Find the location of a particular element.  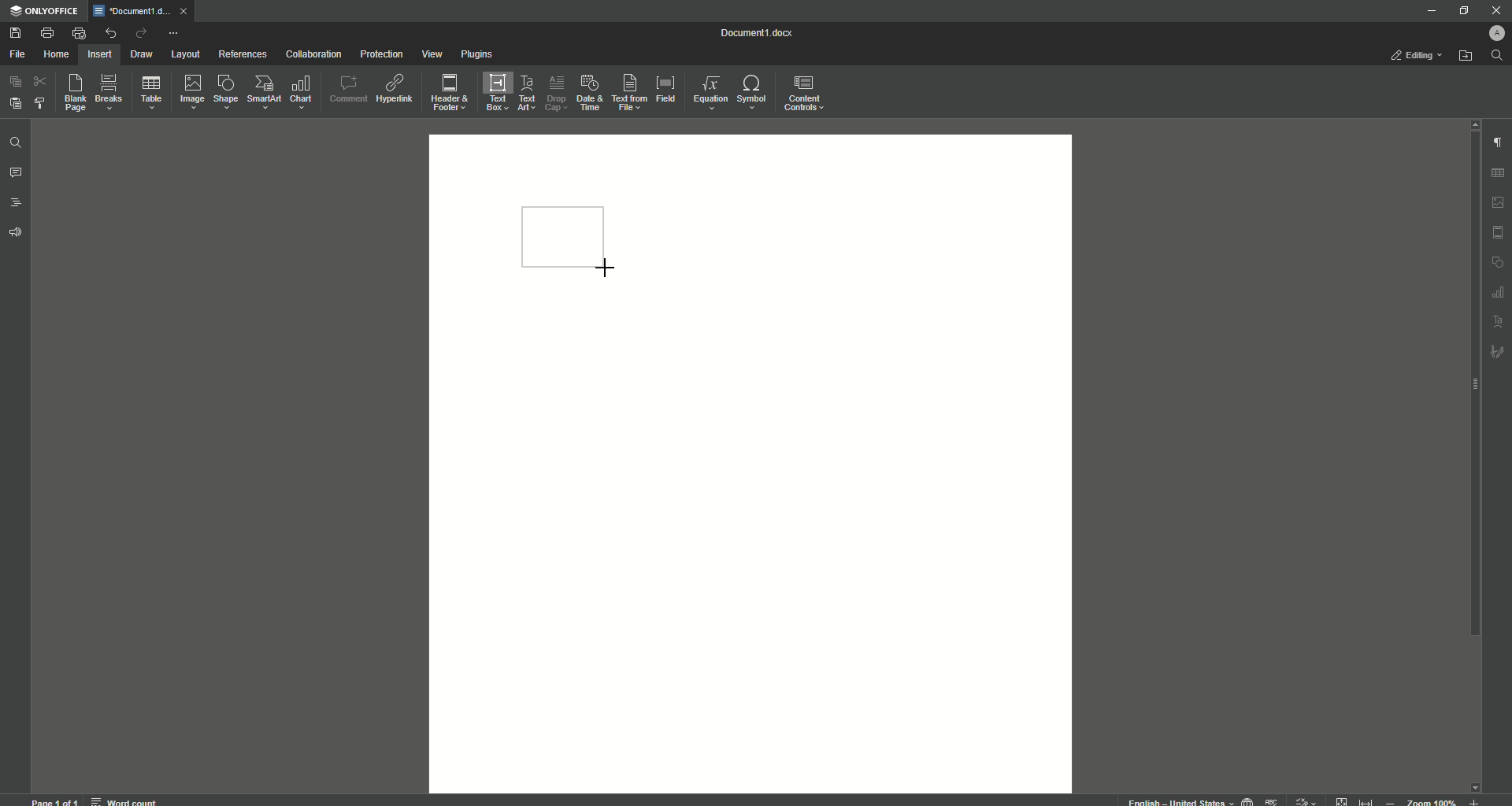

page 1 of 1 is located at coordinates (55, 800).